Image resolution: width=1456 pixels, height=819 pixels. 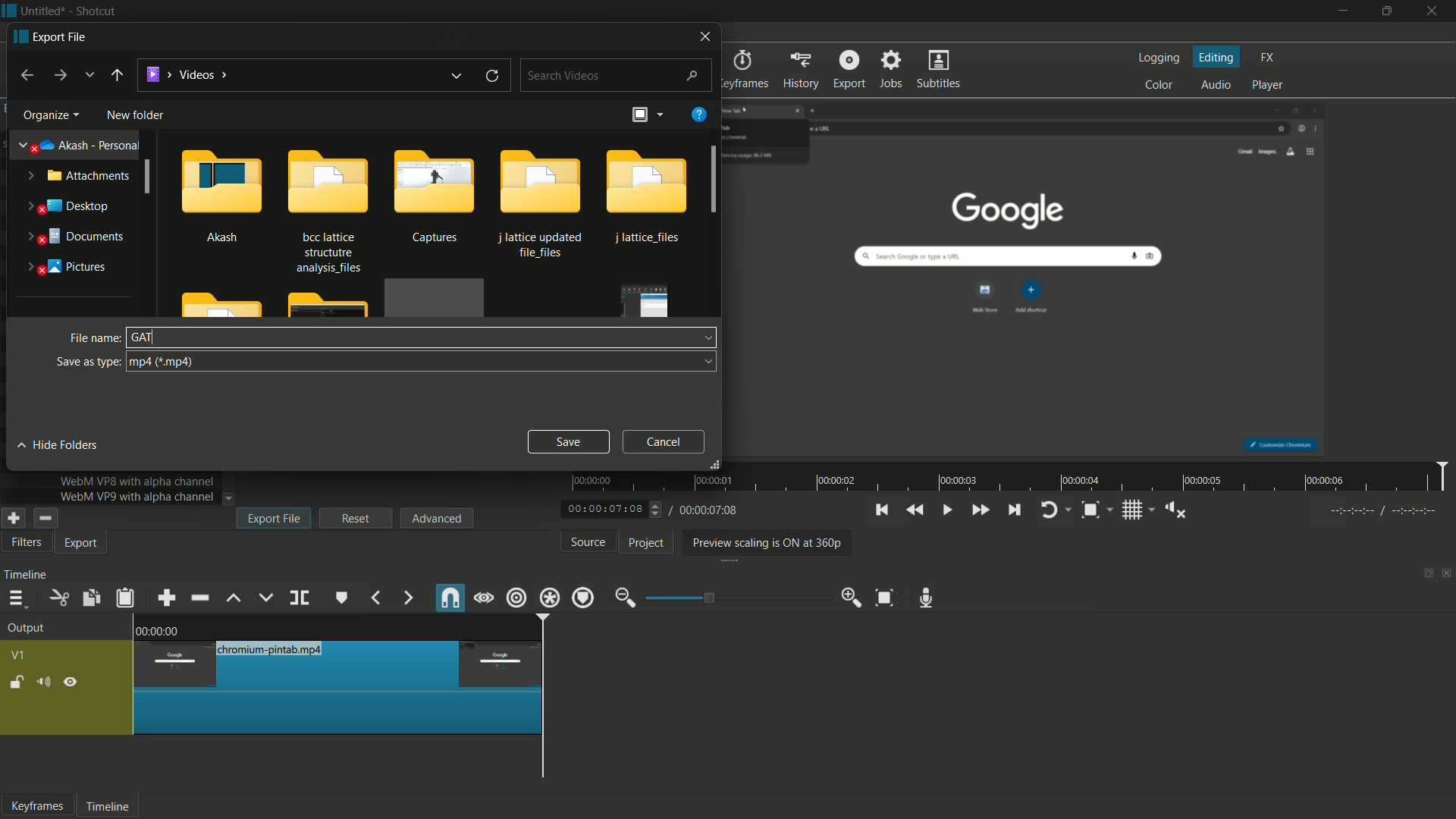 What do you see at coordinates (1434, 11) in the screenshot?
I see `close app` at bounding box center [1434, 11].